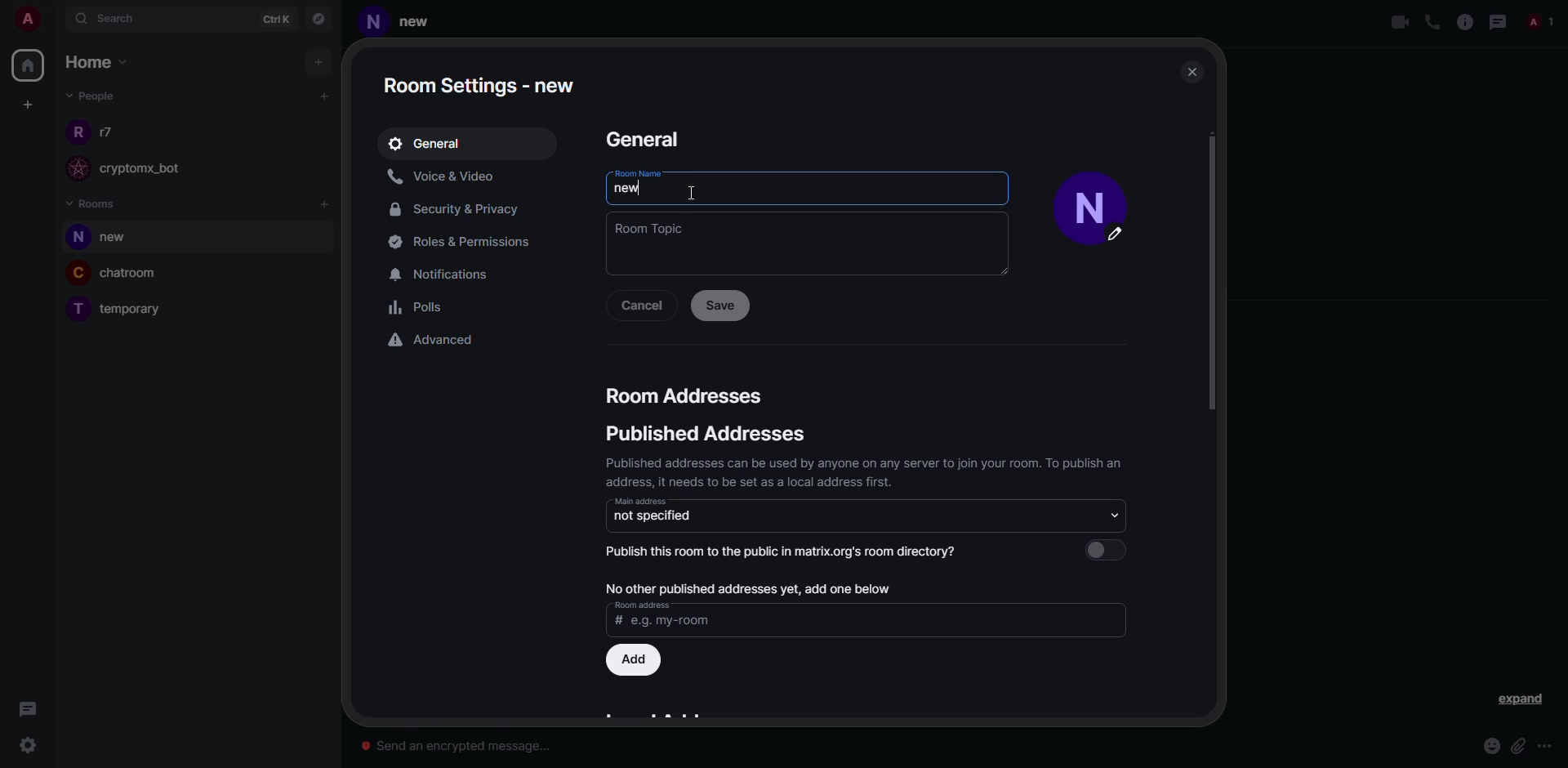  What do you see at coordinates (670, 623) in the screenshot?
I see `eg` at bounding box center [670, 623].